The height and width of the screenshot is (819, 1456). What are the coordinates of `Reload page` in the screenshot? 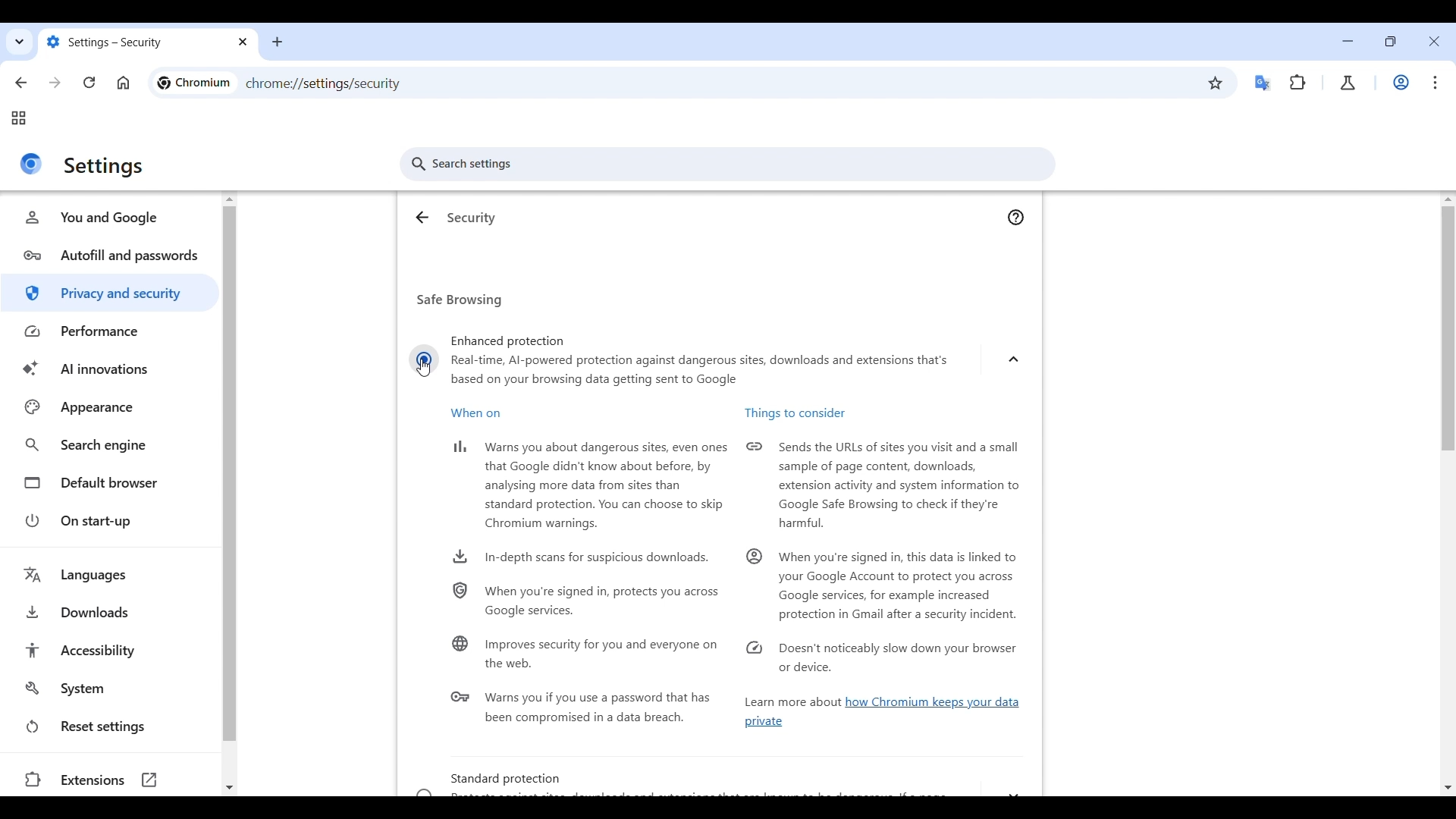 It's located at (89, 82).